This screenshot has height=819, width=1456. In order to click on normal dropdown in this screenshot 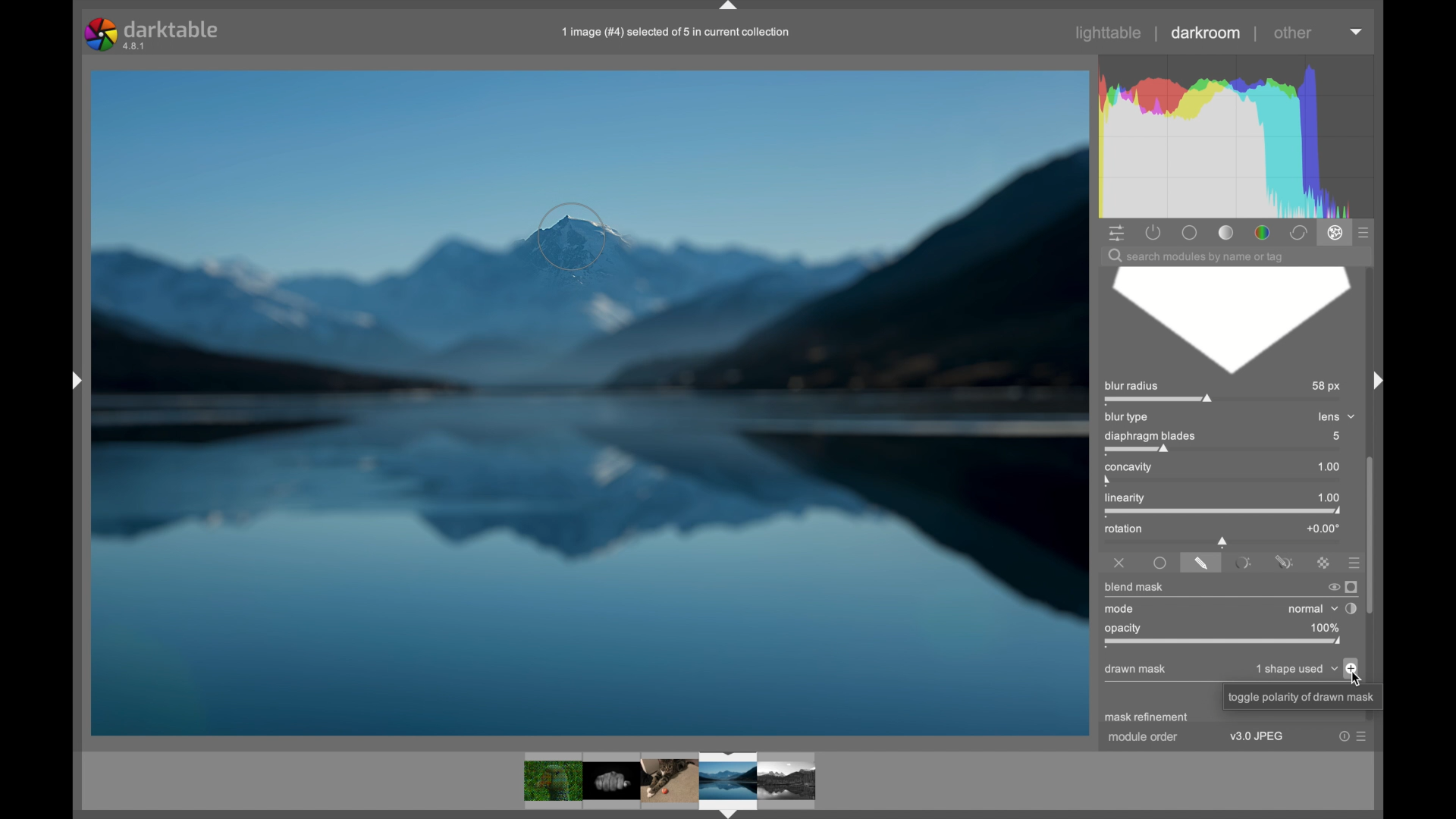, I will do `click(1312, 608)`.